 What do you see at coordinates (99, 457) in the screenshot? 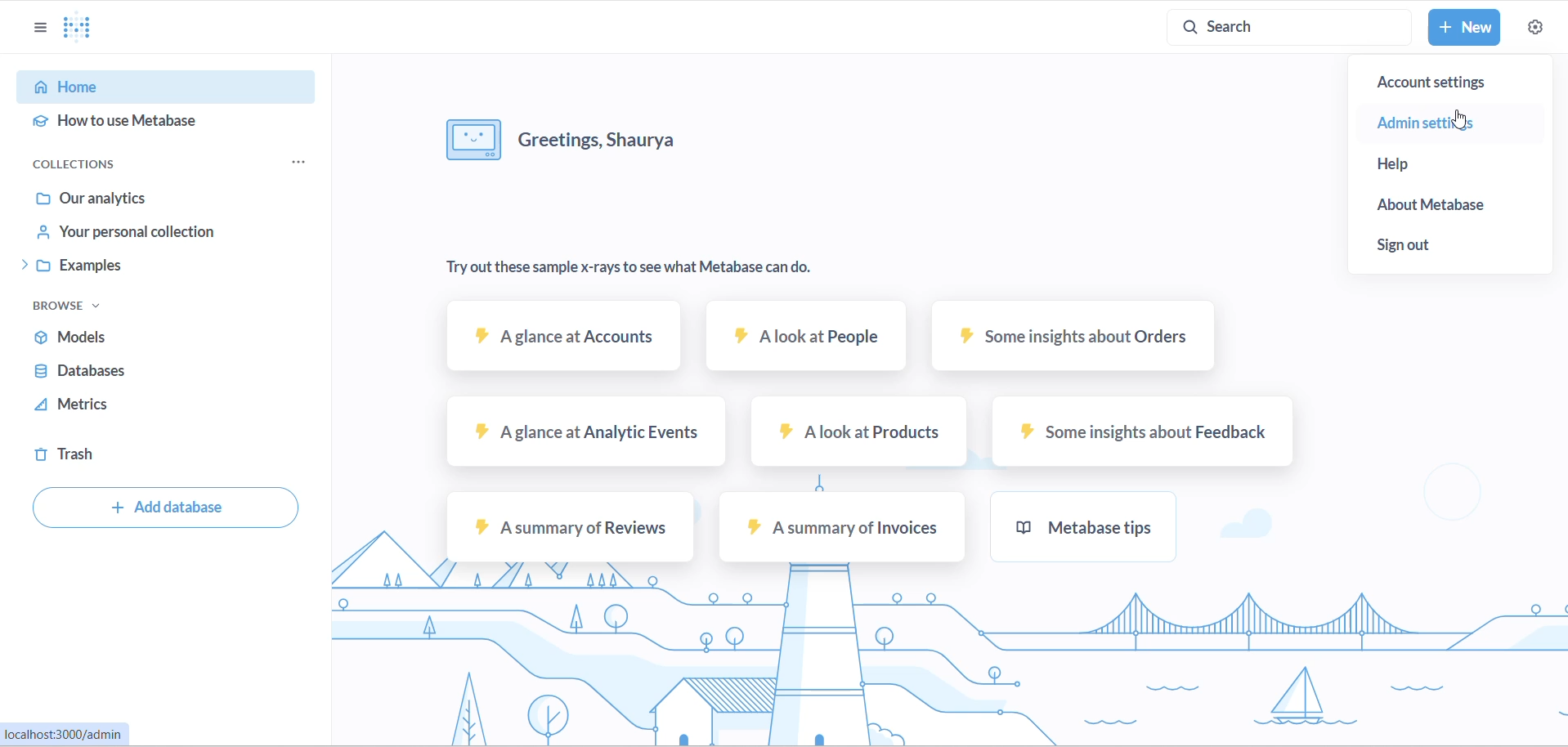
I see `trash` at bounding box center [99, 457].